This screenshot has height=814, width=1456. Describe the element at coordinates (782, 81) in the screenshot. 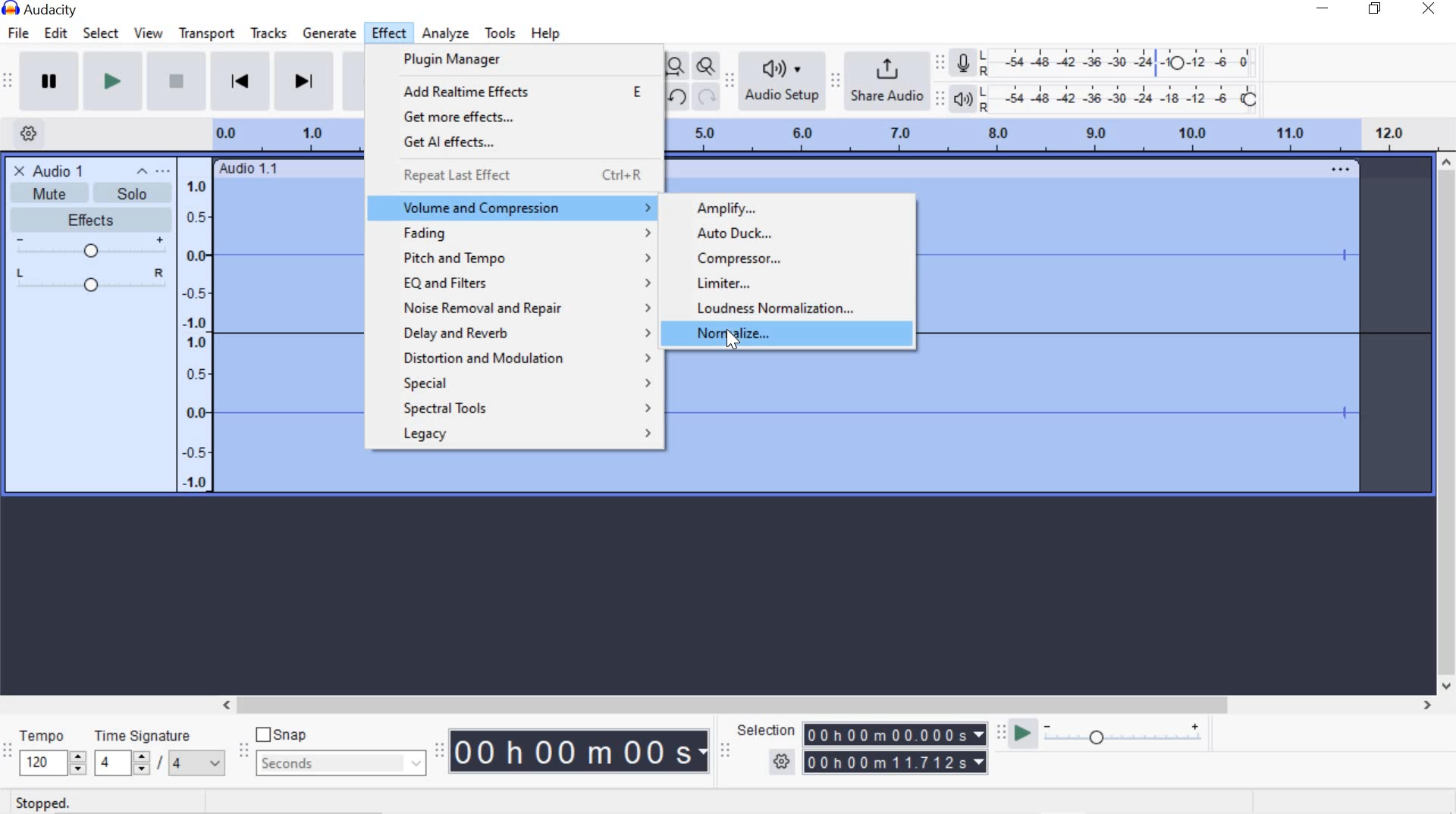

I see `Audio setup` at that location.